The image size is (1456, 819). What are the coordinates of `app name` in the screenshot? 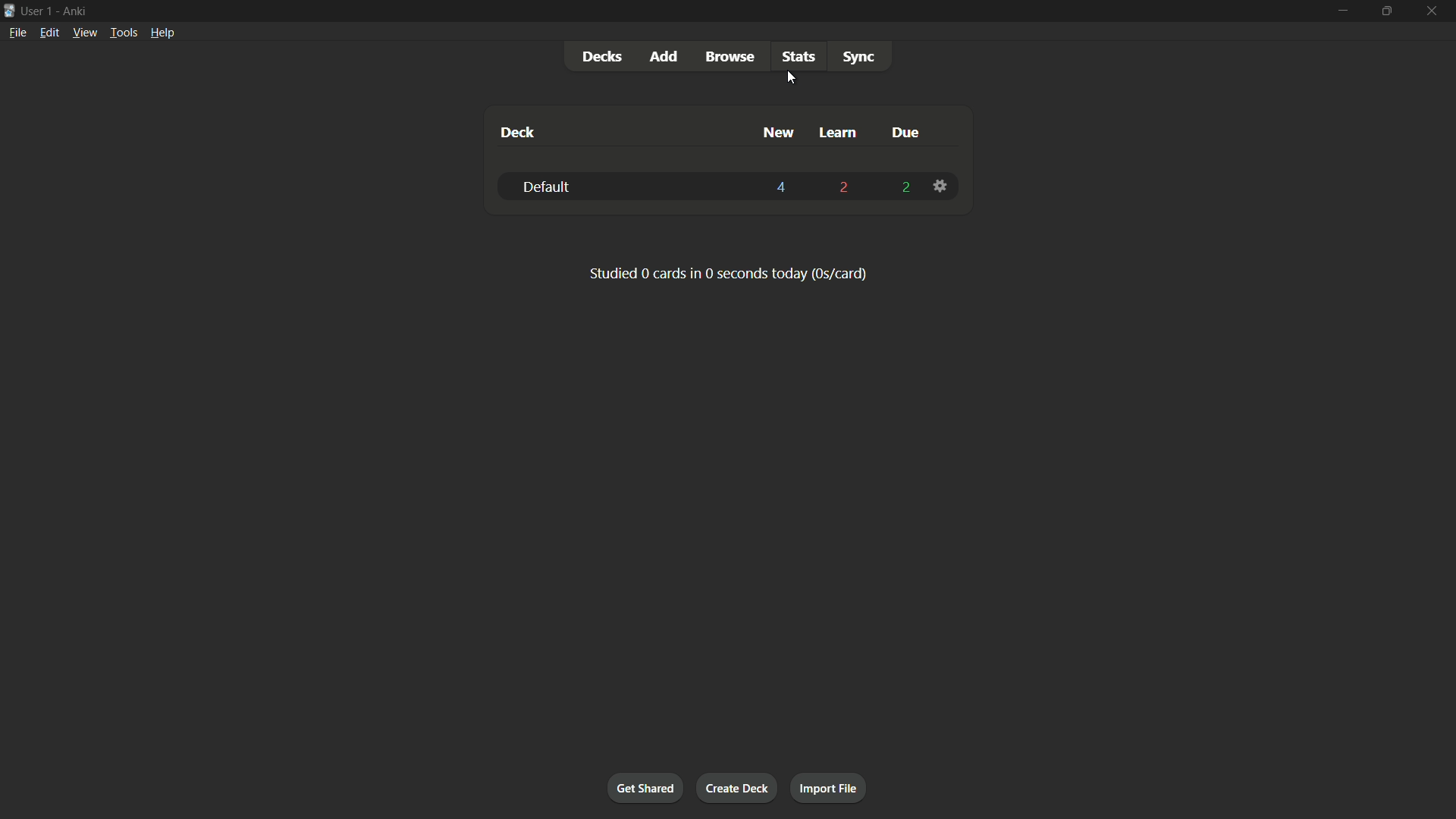 It's located at (74, 11).